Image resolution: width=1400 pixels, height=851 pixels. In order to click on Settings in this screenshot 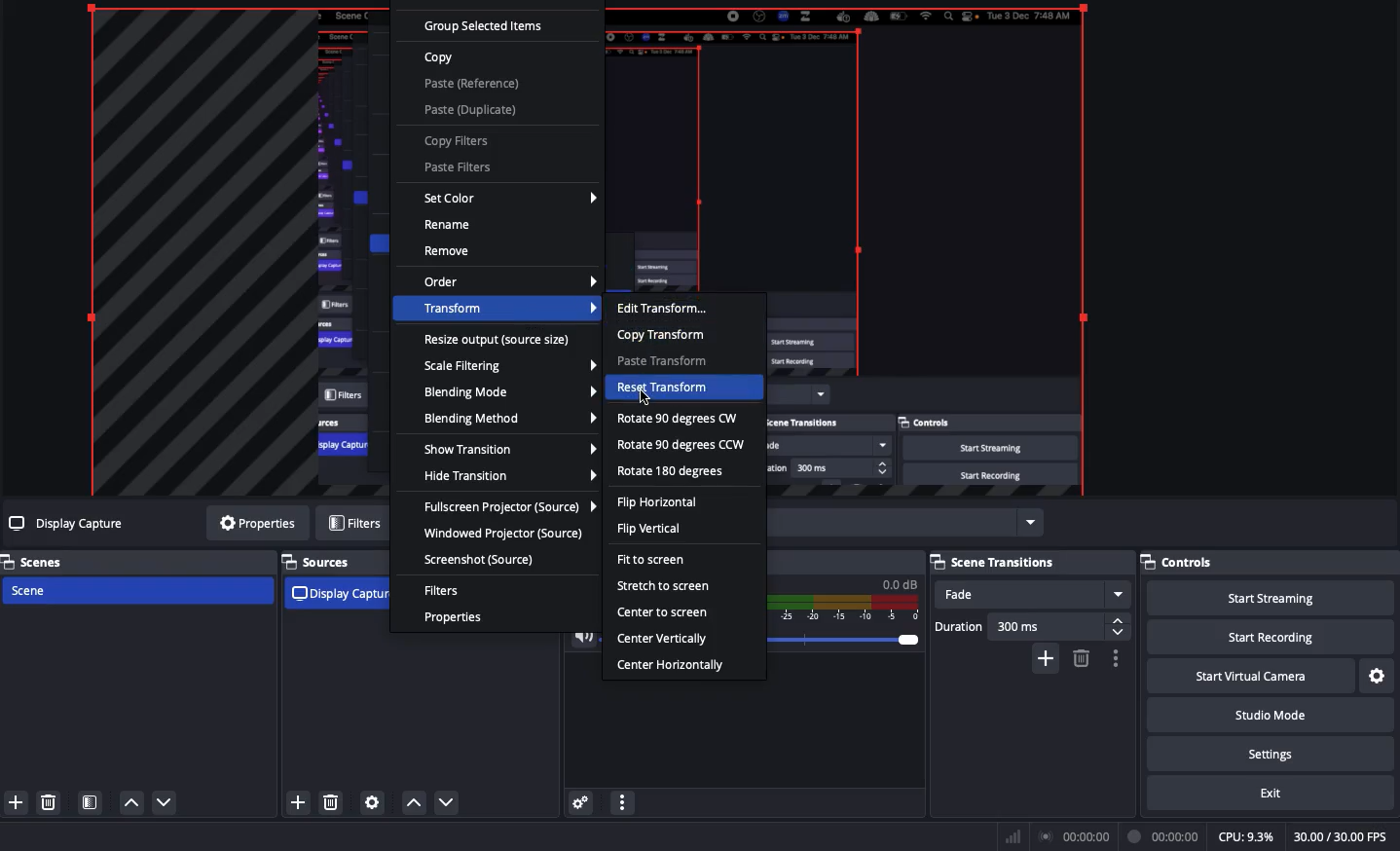, I will do `click(375, 803)`.